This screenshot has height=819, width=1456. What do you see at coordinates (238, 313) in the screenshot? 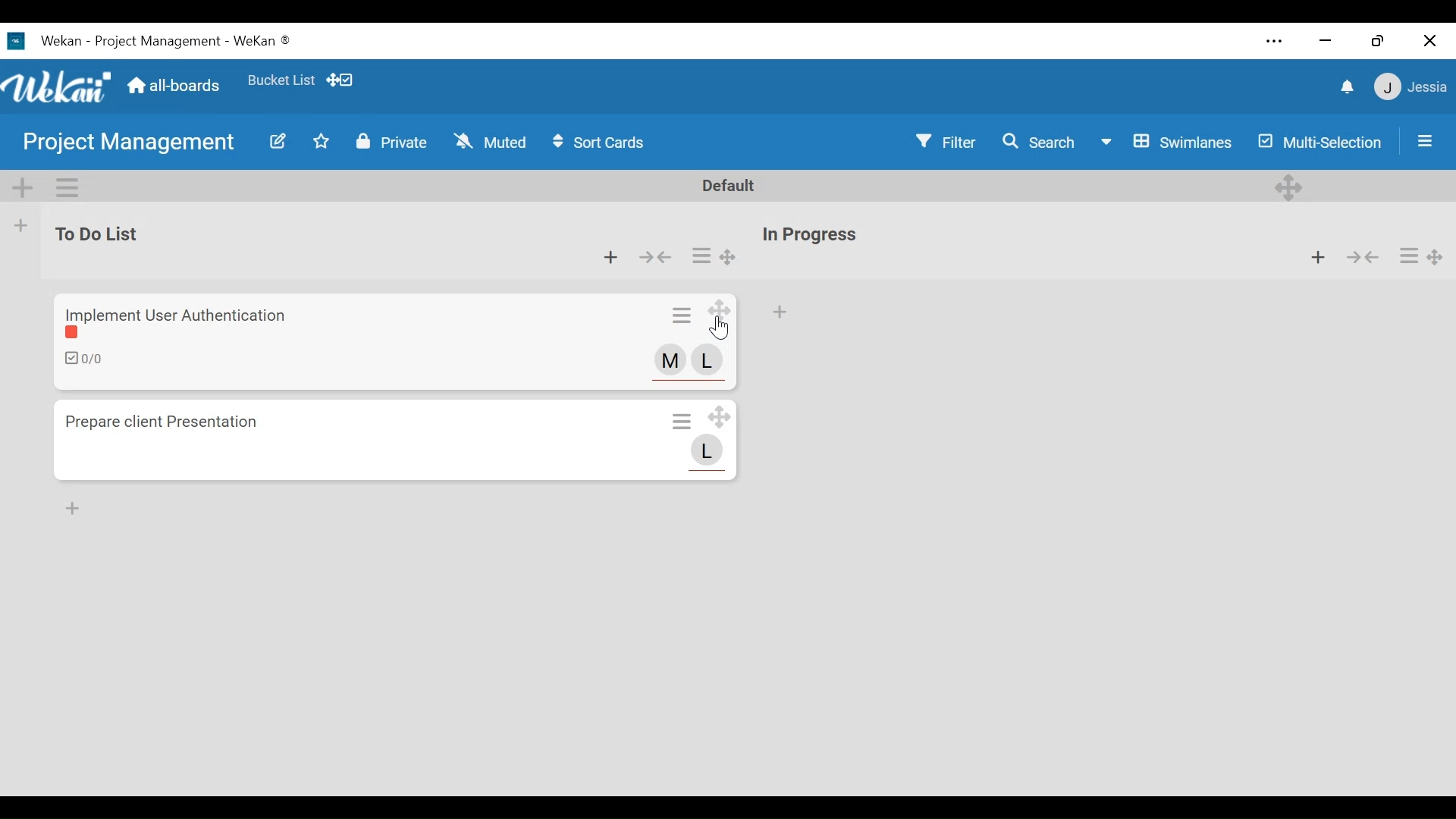
I see `Card Title` at bounding box center [238, 313].